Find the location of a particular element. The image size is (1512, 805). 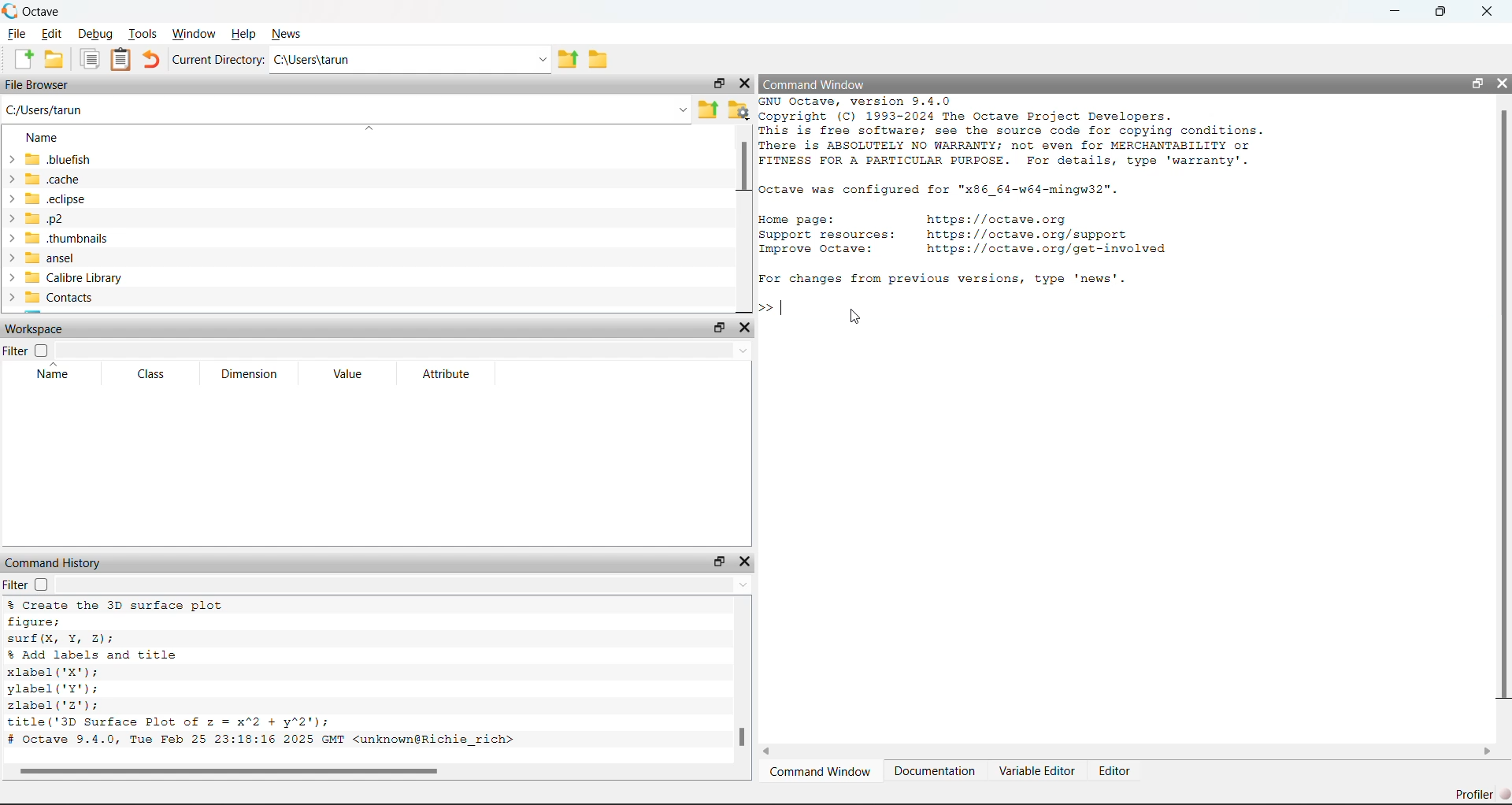

Close is located at coordinates (1502, 84).